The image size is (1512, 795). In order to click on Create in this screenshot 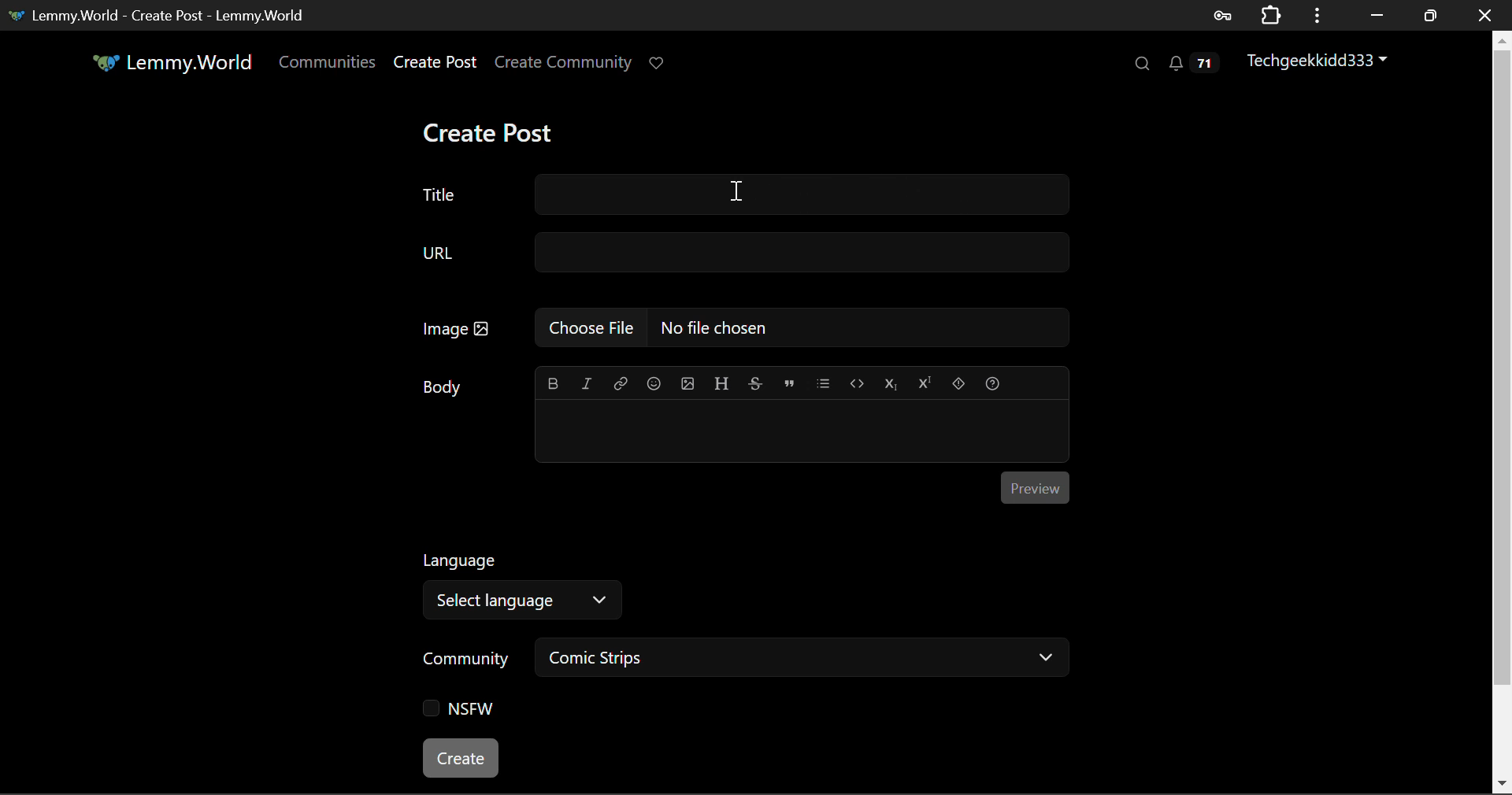, I will do `click(461, 760)`.